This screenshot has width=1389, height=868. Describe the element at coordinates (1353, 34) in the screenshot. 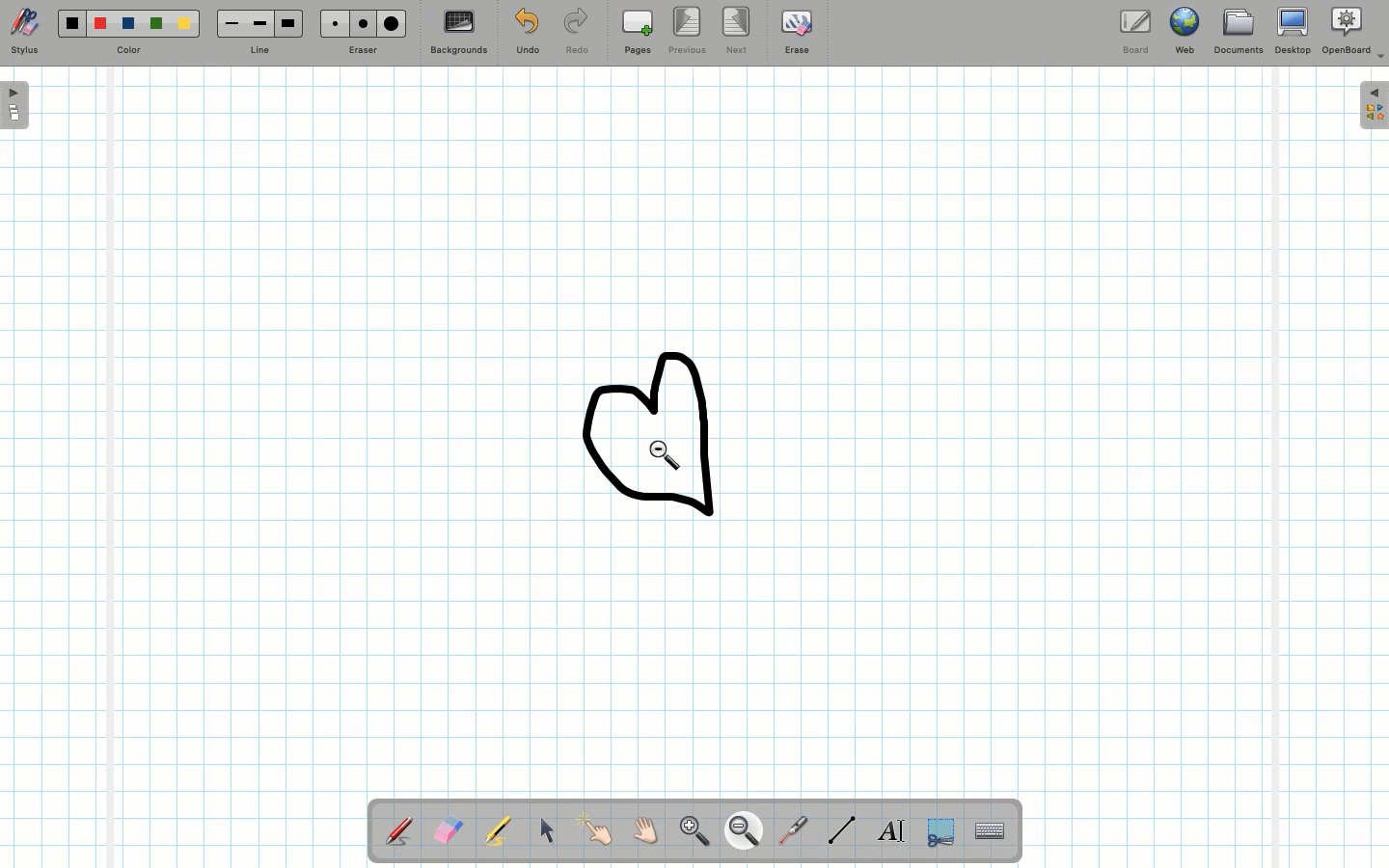

I see `OpenBoard` at that location.